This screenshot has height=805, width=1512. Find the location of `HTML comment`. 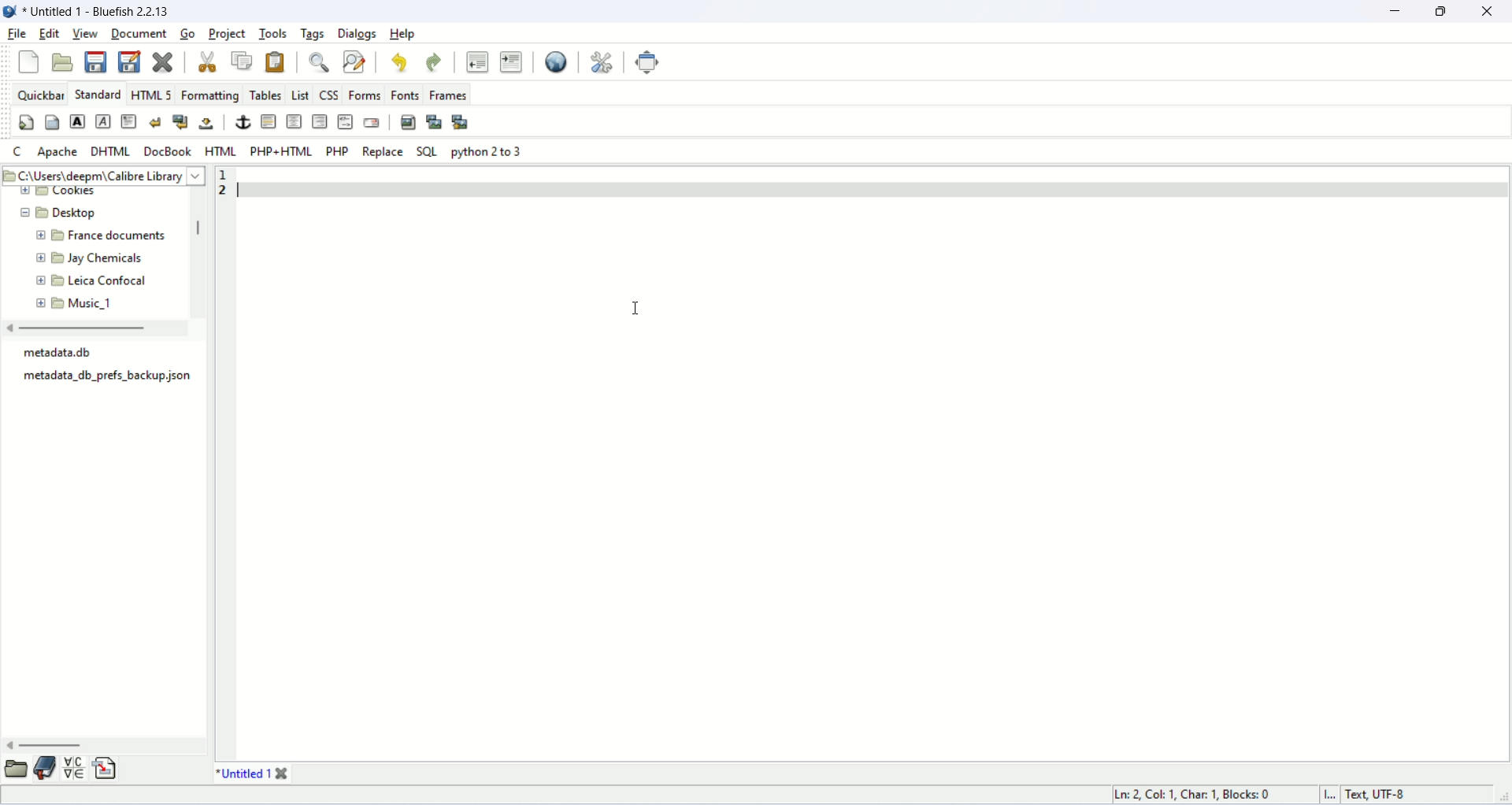

HTML comment is located at coordinates (345, 121).